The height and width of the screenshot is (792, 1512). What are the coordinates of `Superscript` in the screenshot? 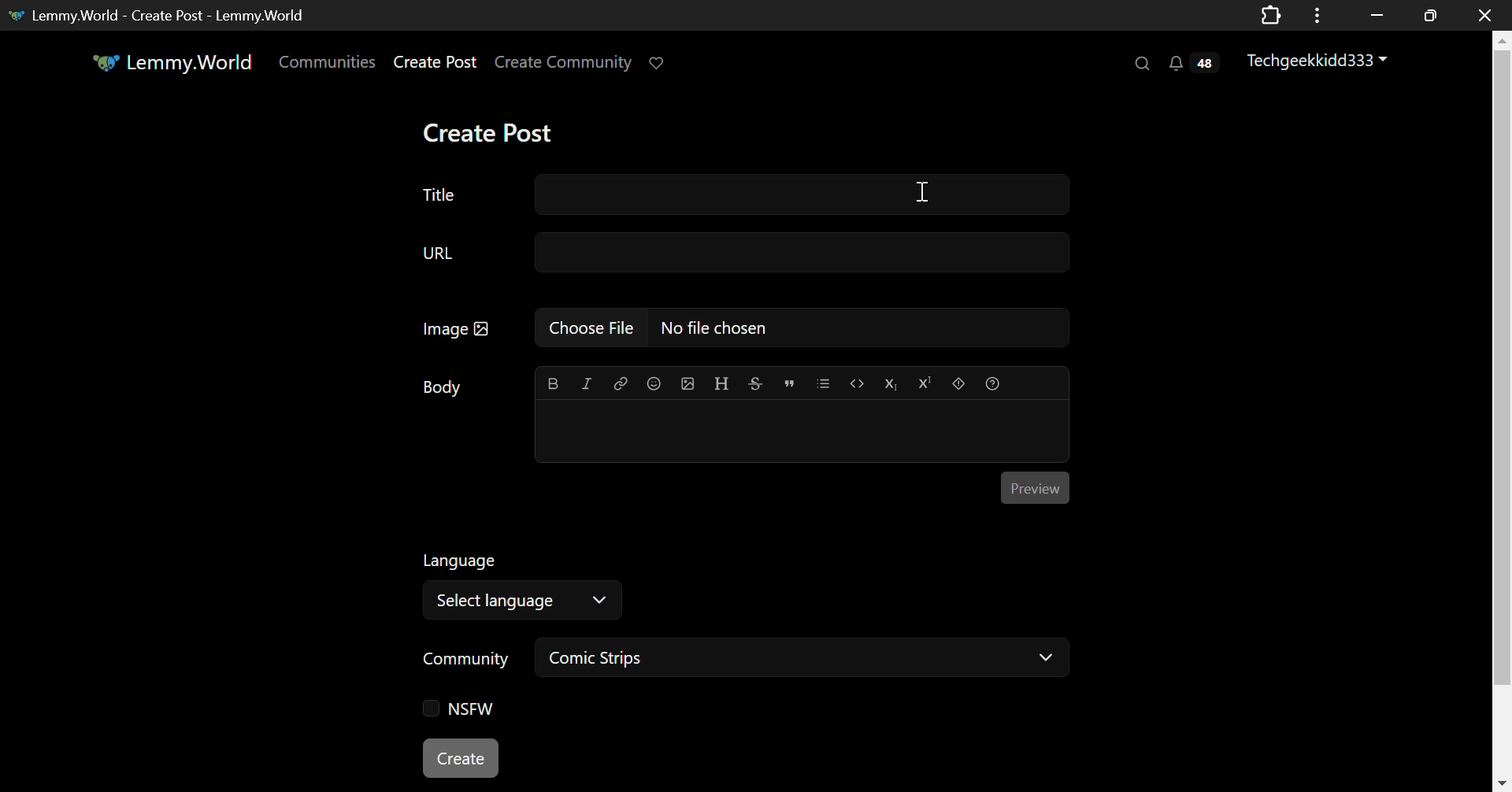 It's located at (925, 383).